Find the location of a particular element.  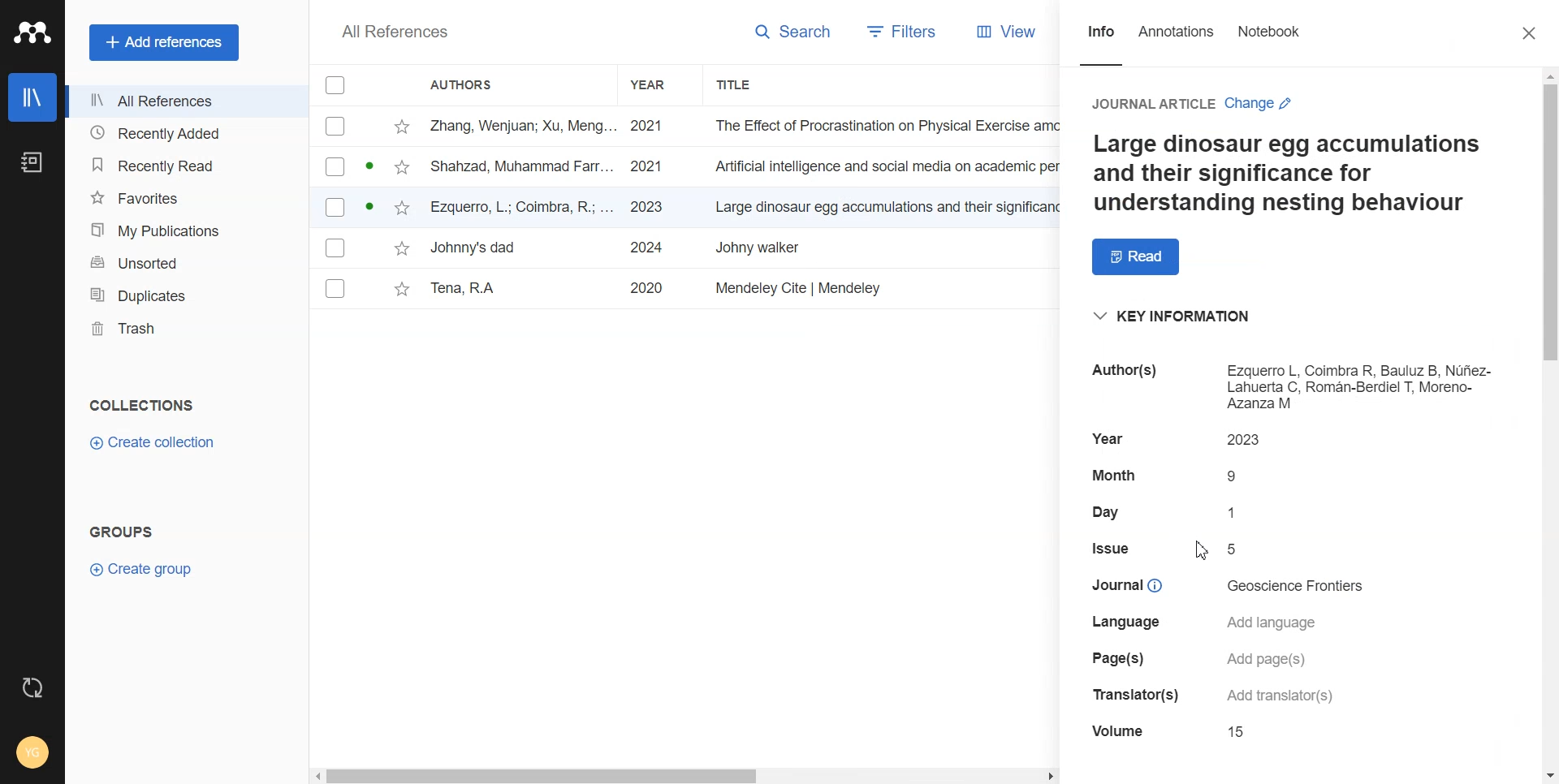

details is located at coordinates (1110, 549).